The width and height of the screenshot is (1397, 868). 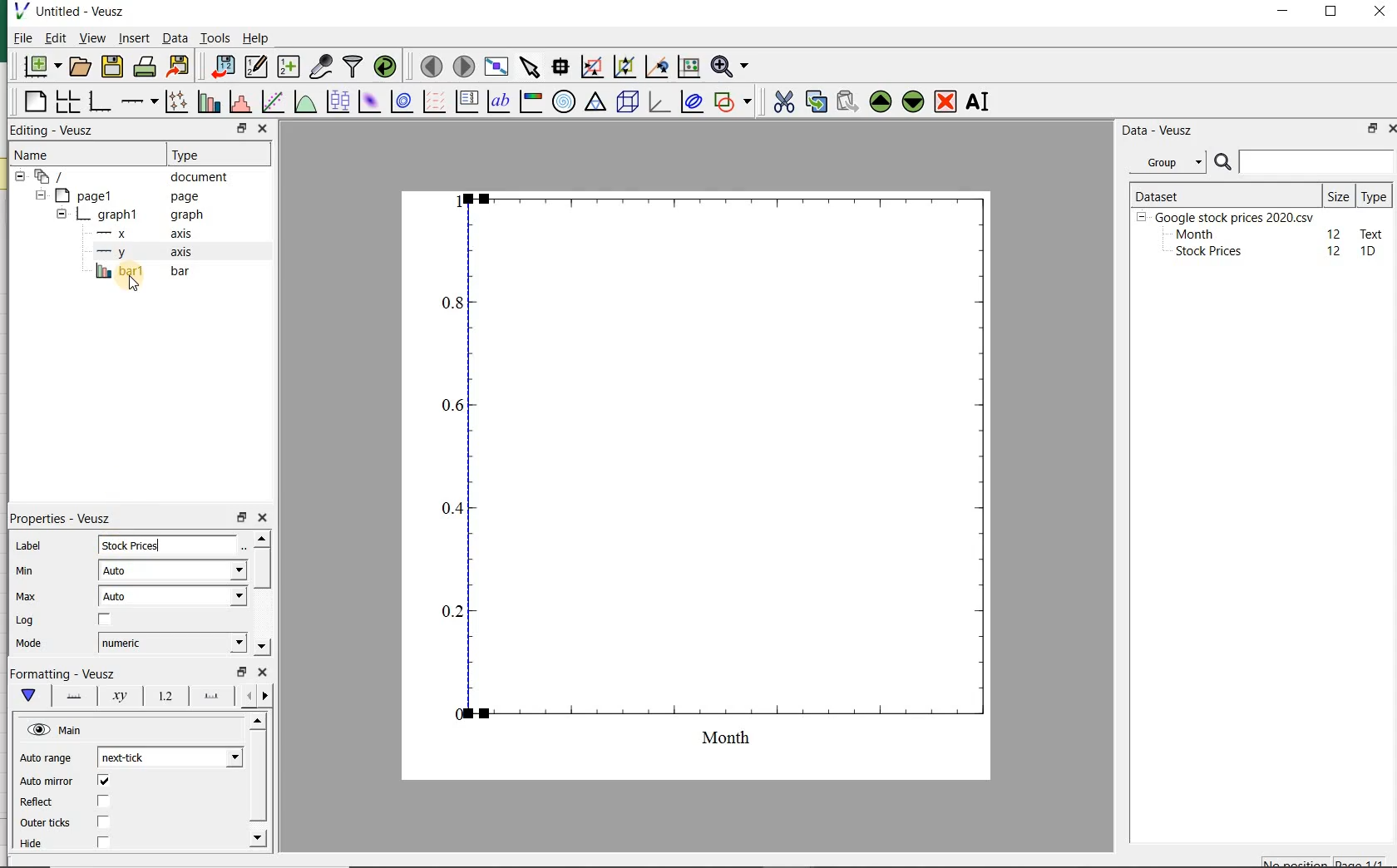 What do you see at coordinates (104, 622) in the screenshot?
I see `check/uncheck` at bounding box center [104, 622].